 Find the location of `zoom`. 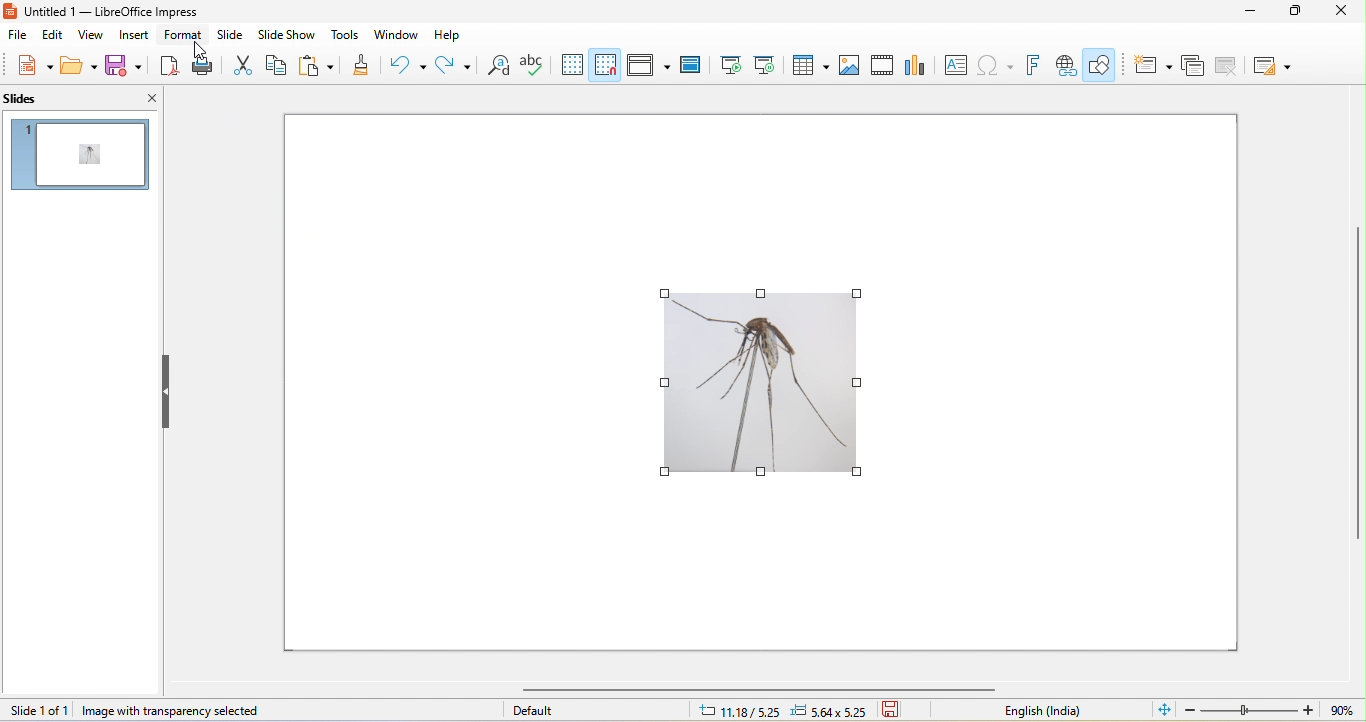

zoom is located at coordinates (1274, 709).